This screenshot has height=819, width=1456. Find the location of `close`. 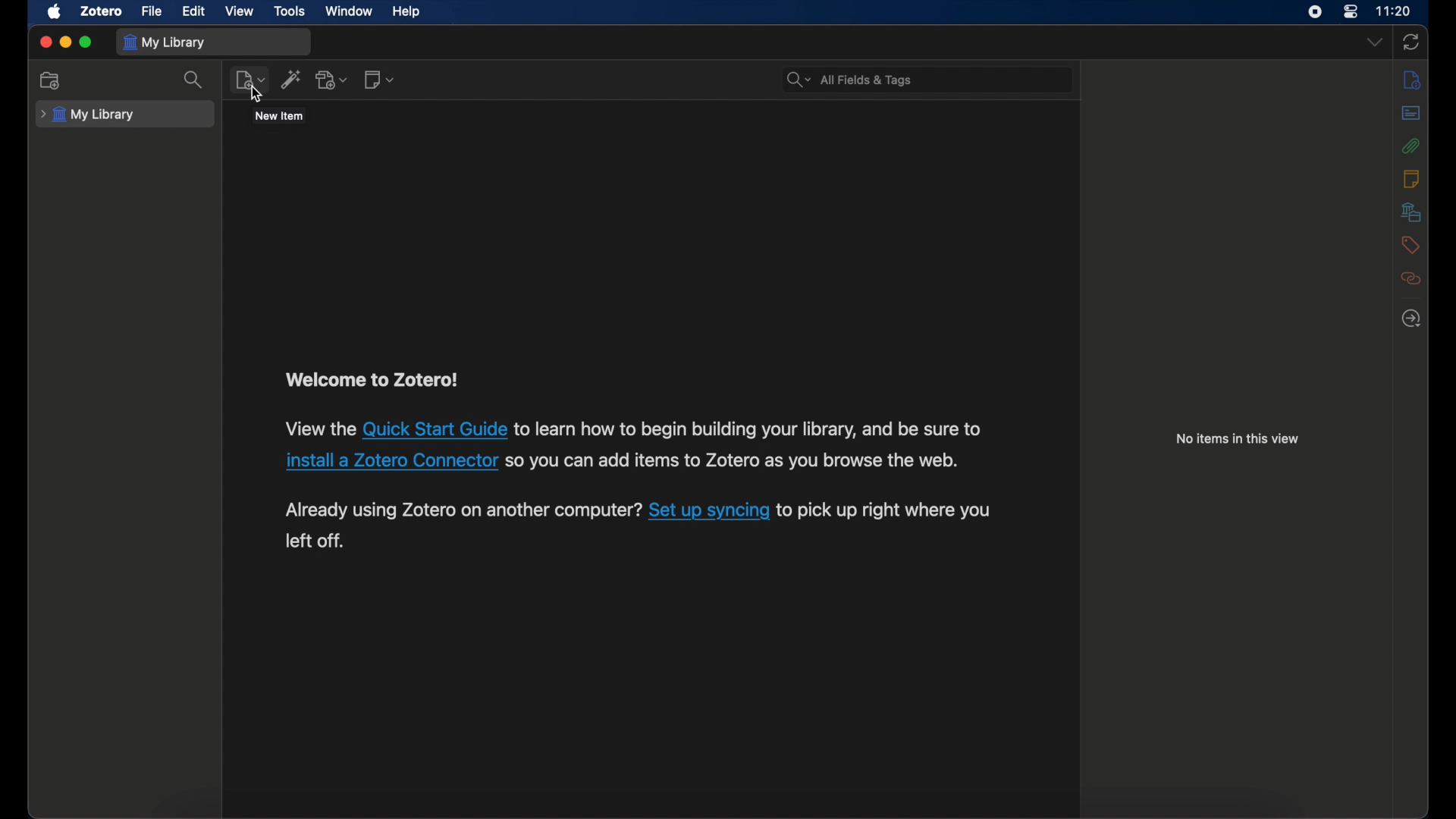

close is located at coordinates (45, 42).